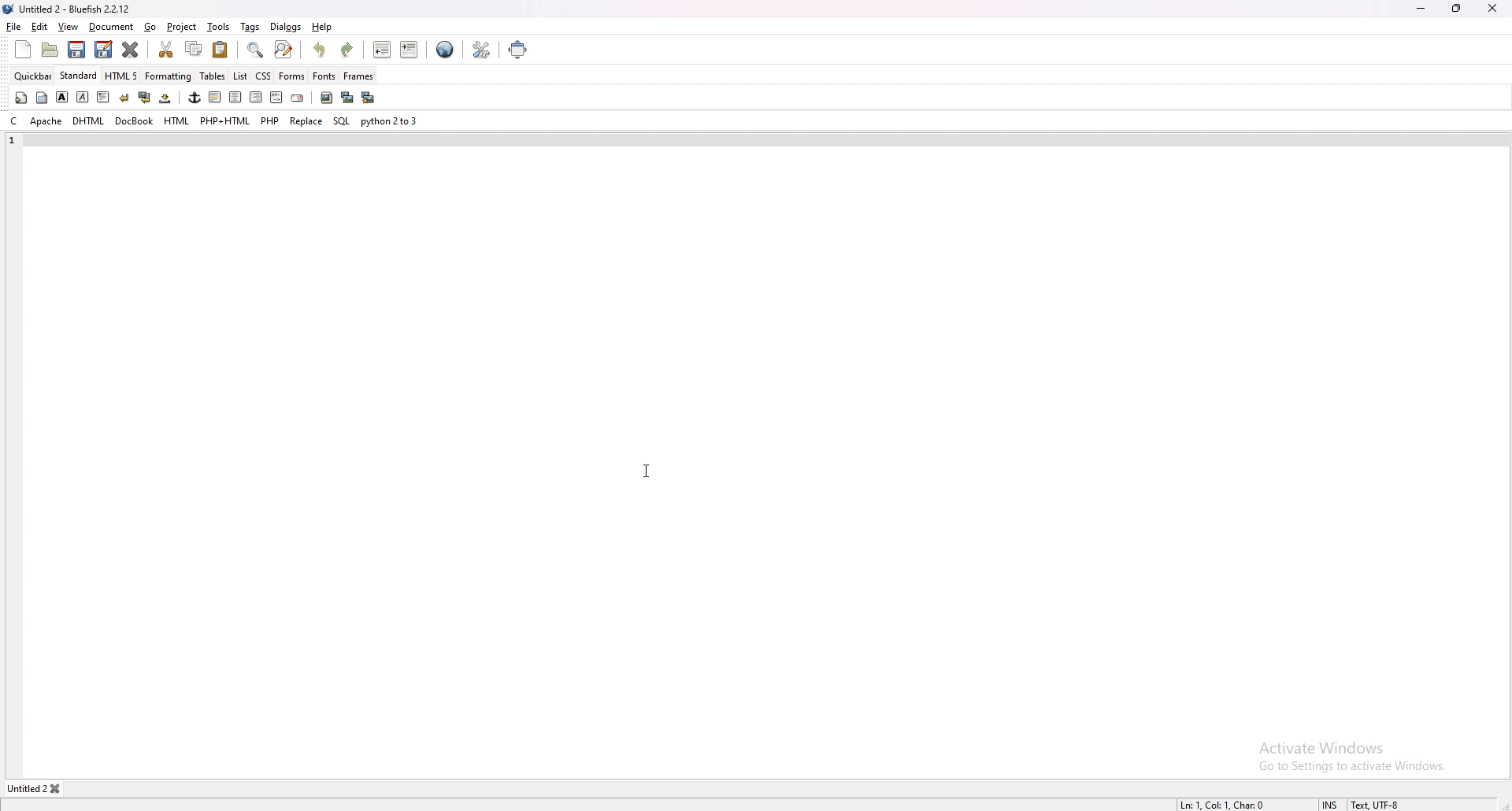  What do you see at coordinates (256, 50) in the screenshot?
I see `find bar` at bounding box center [256, 50].